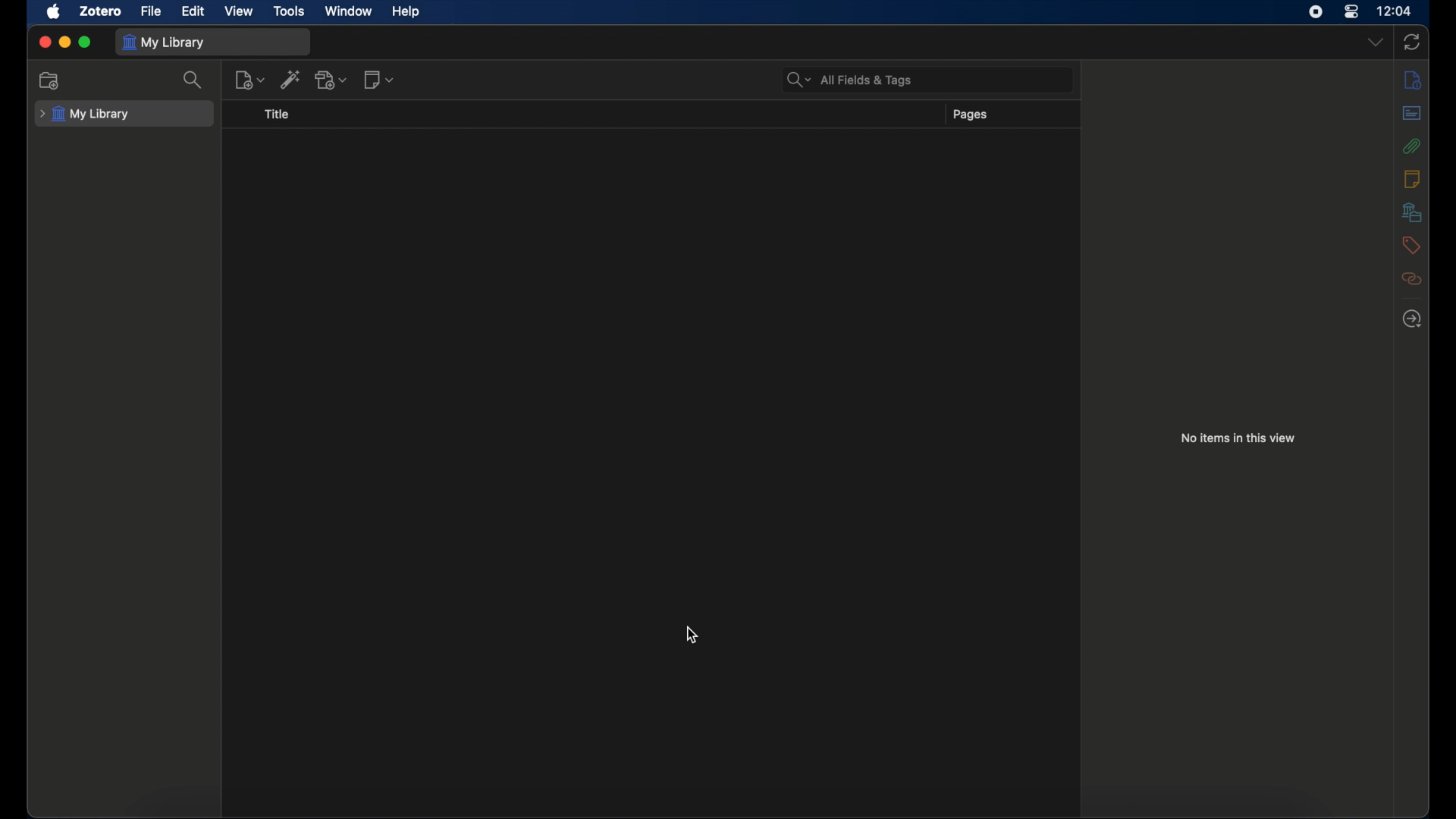  I want to click on abstract, so click(1411, 113).